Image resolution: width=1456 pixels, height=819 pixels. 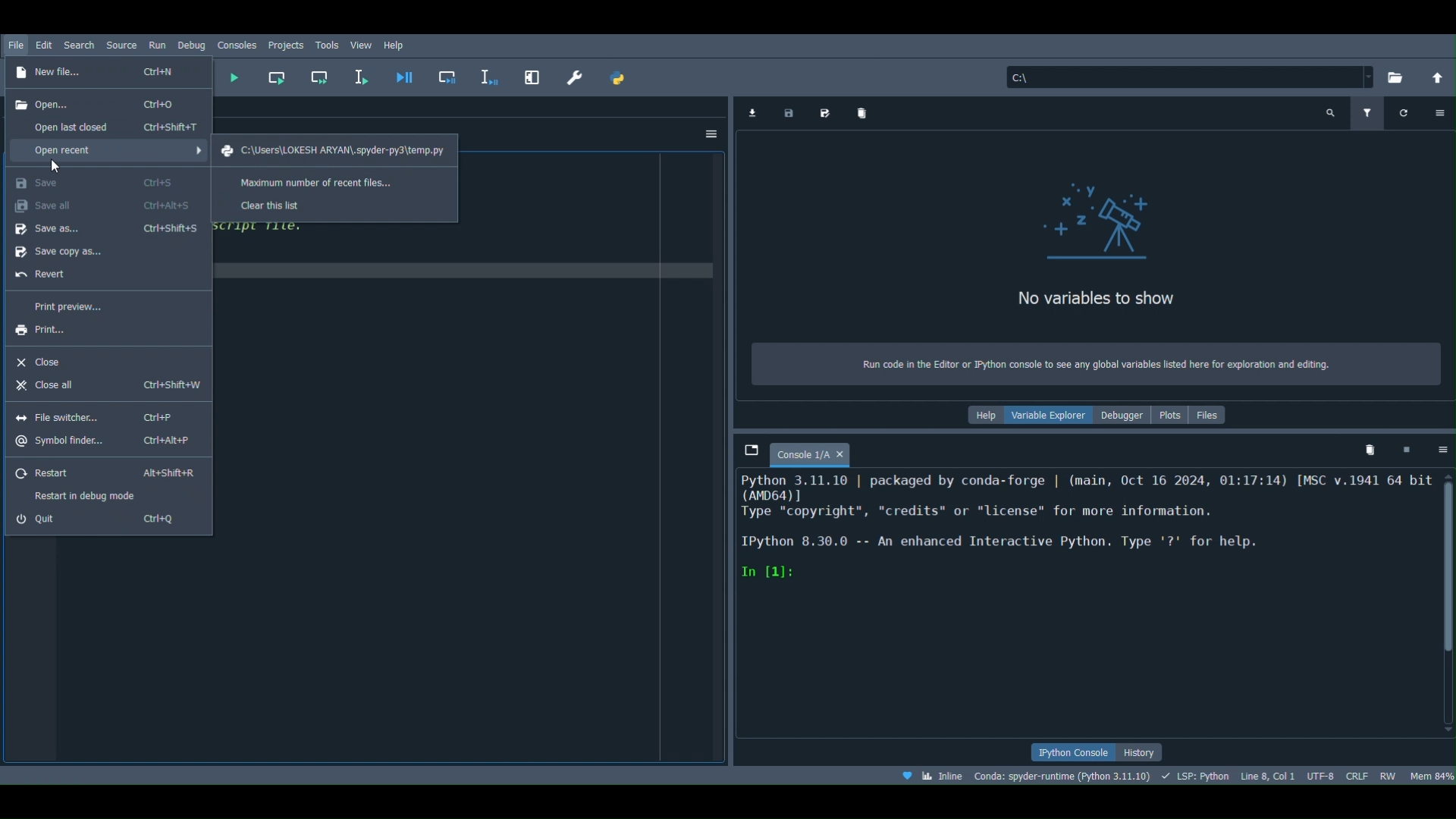 What do you see at coordinates (155, 45) in the screenshot?
I see `Run` at bounding box center [155, 45].